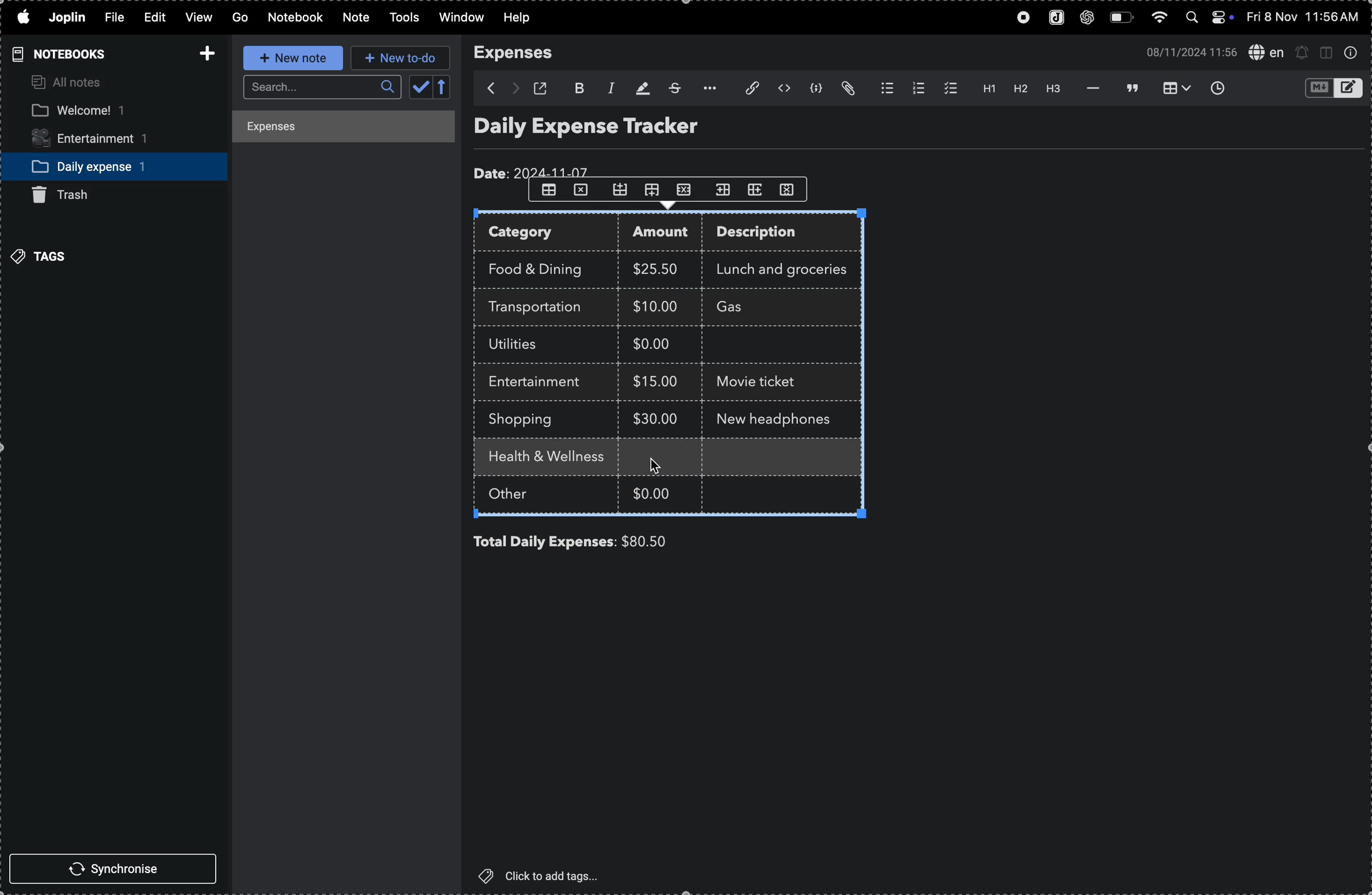 This screenshot has width=1372, height=895. I want to click on expenses, so click(521, 53).